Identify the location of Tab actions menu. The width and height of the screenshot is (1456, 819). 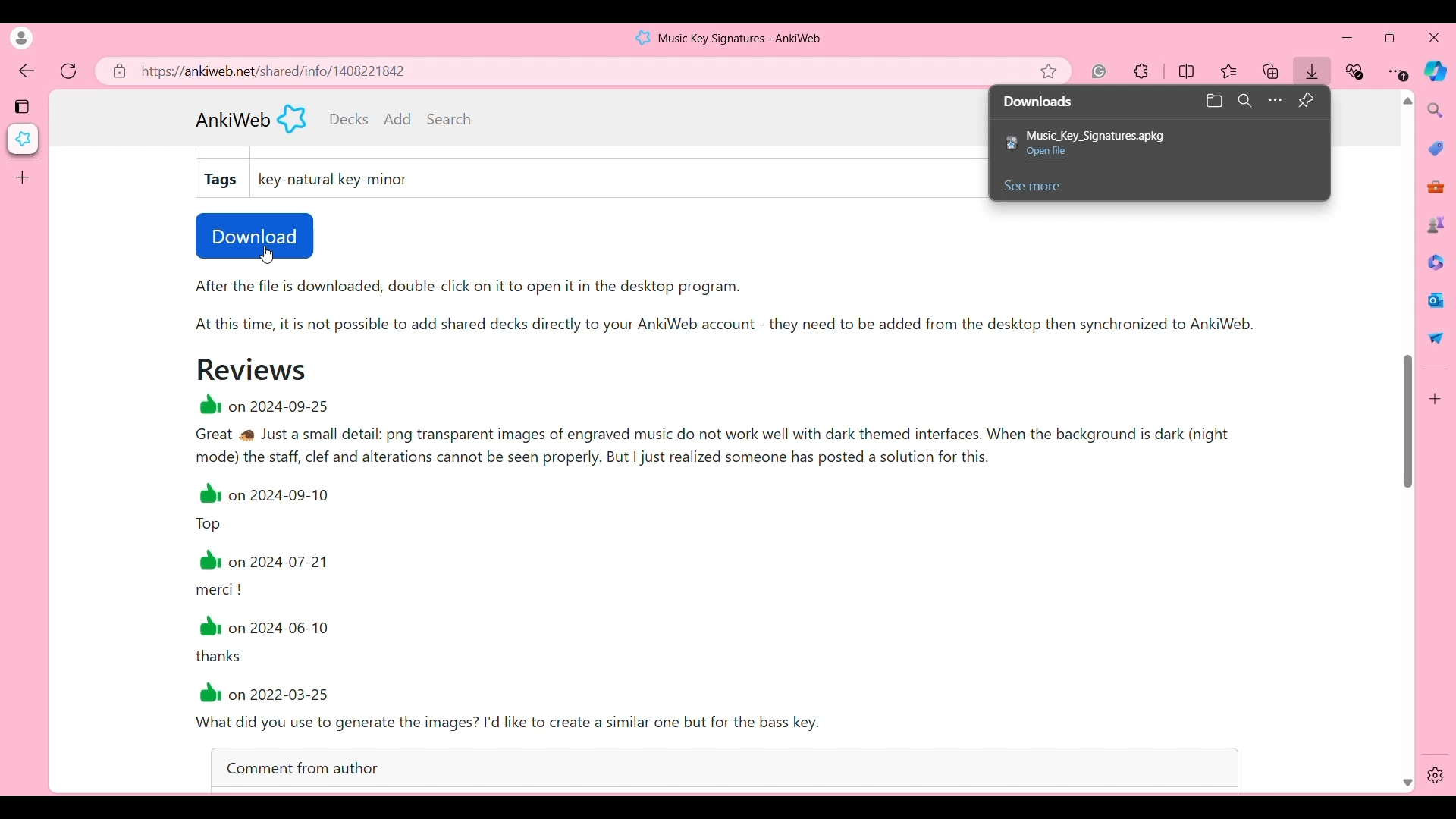
(24, 105).